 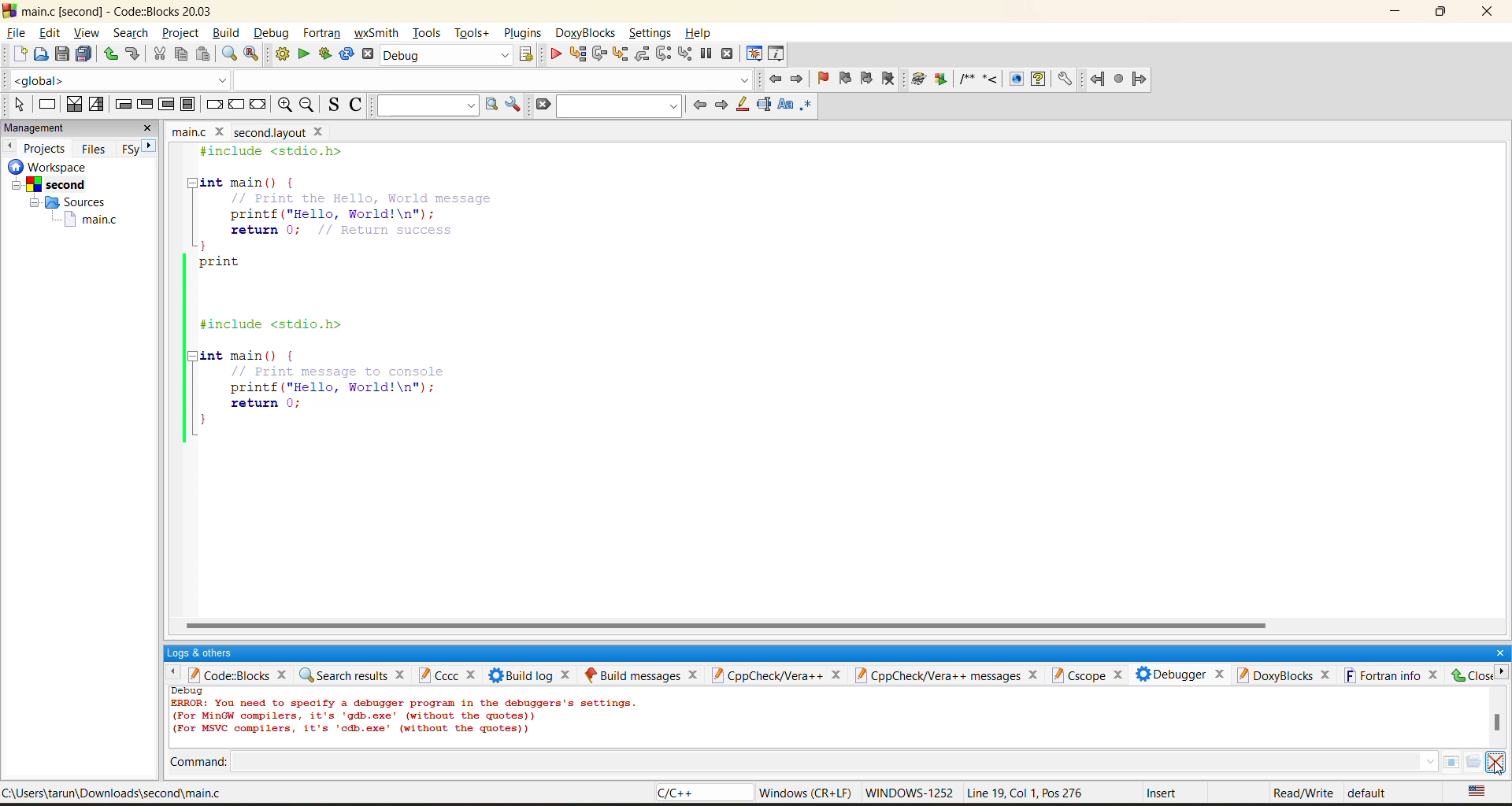 What do you see at coordinates (371, 53) in the screenshot?
I see `abort` at bounding box center [371, 53].